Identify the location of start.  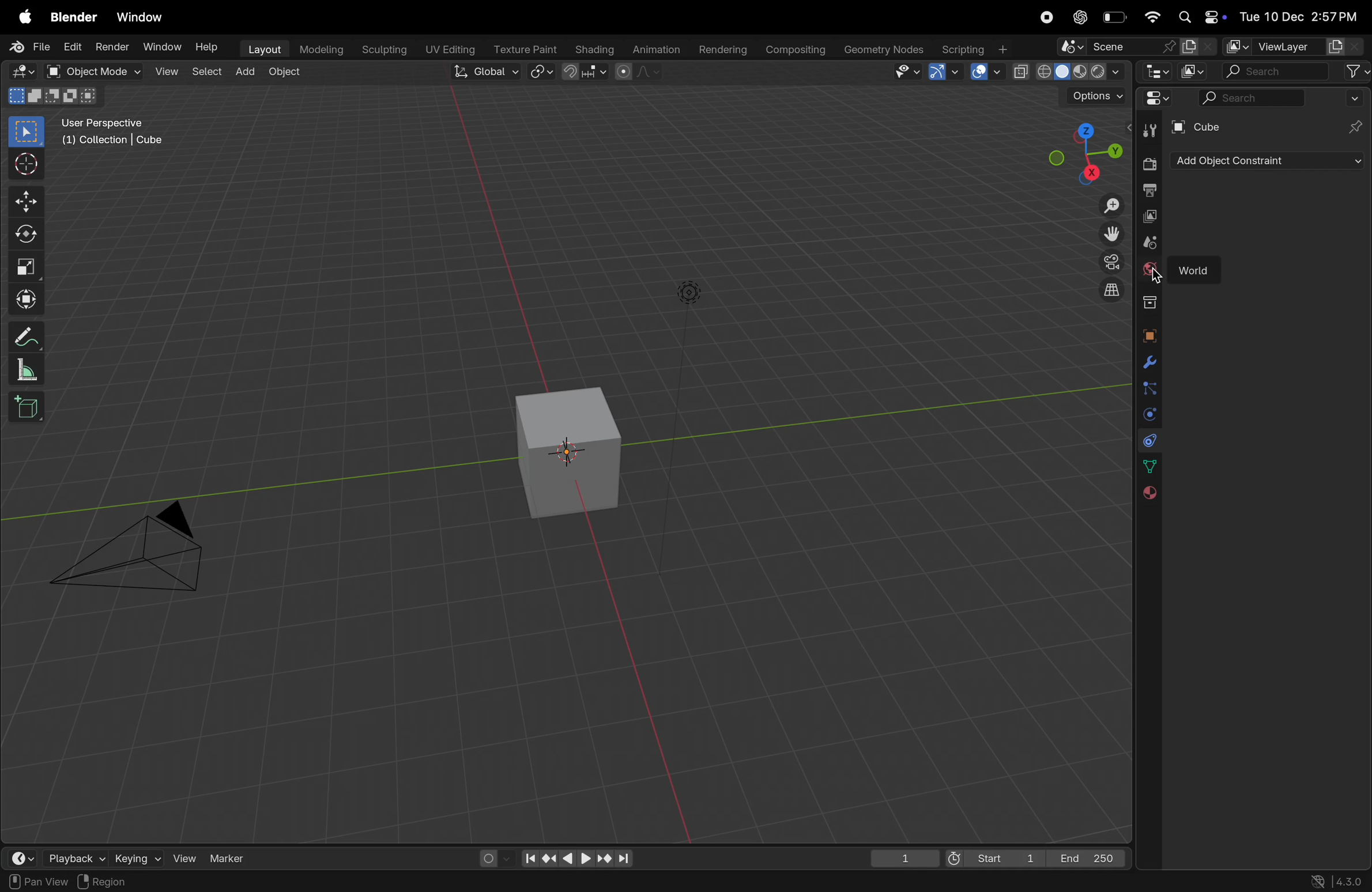
(991, 855).